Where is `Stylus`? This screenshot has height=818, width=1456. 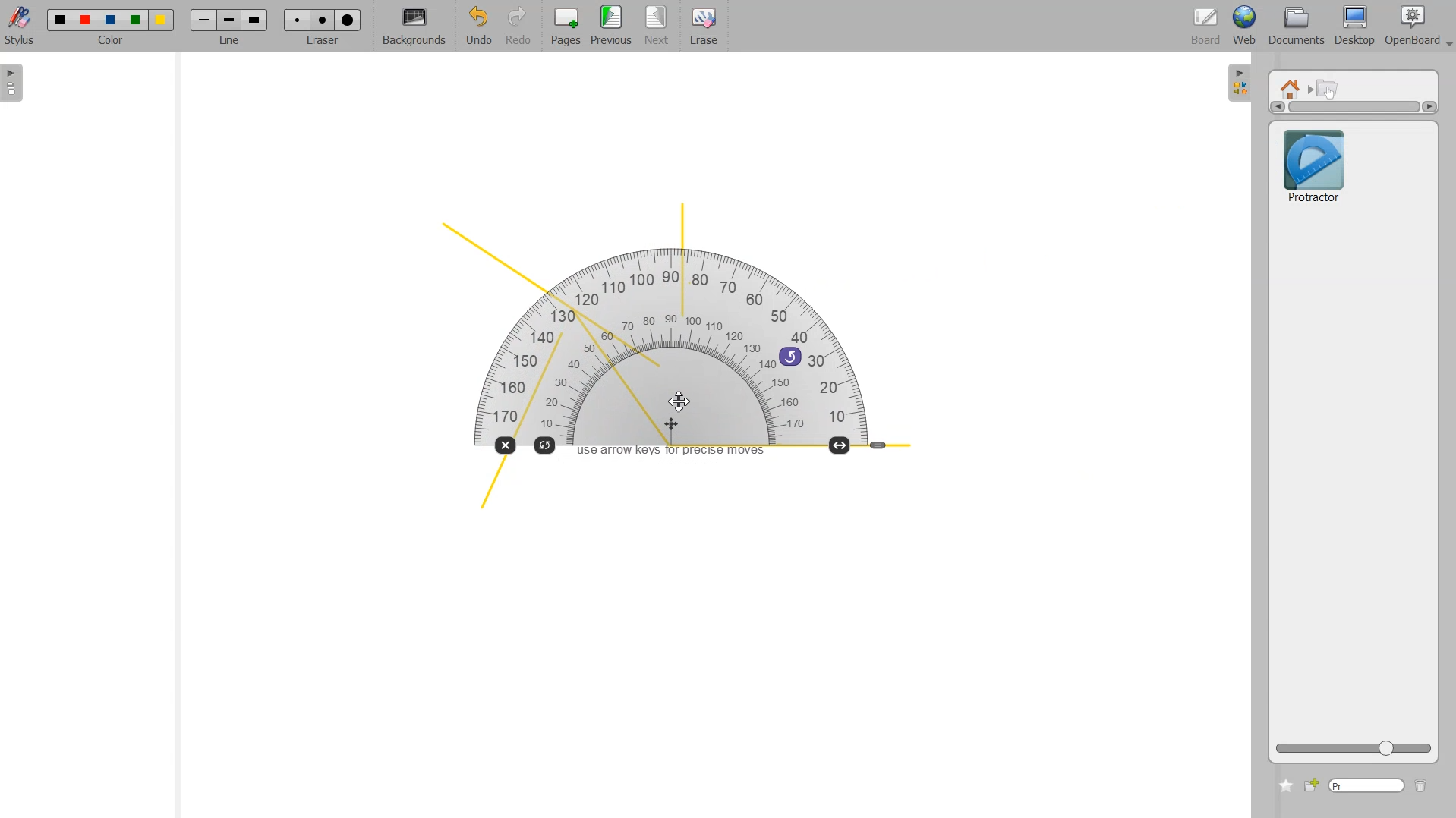 Stylus is located at coordinates (21, 25).